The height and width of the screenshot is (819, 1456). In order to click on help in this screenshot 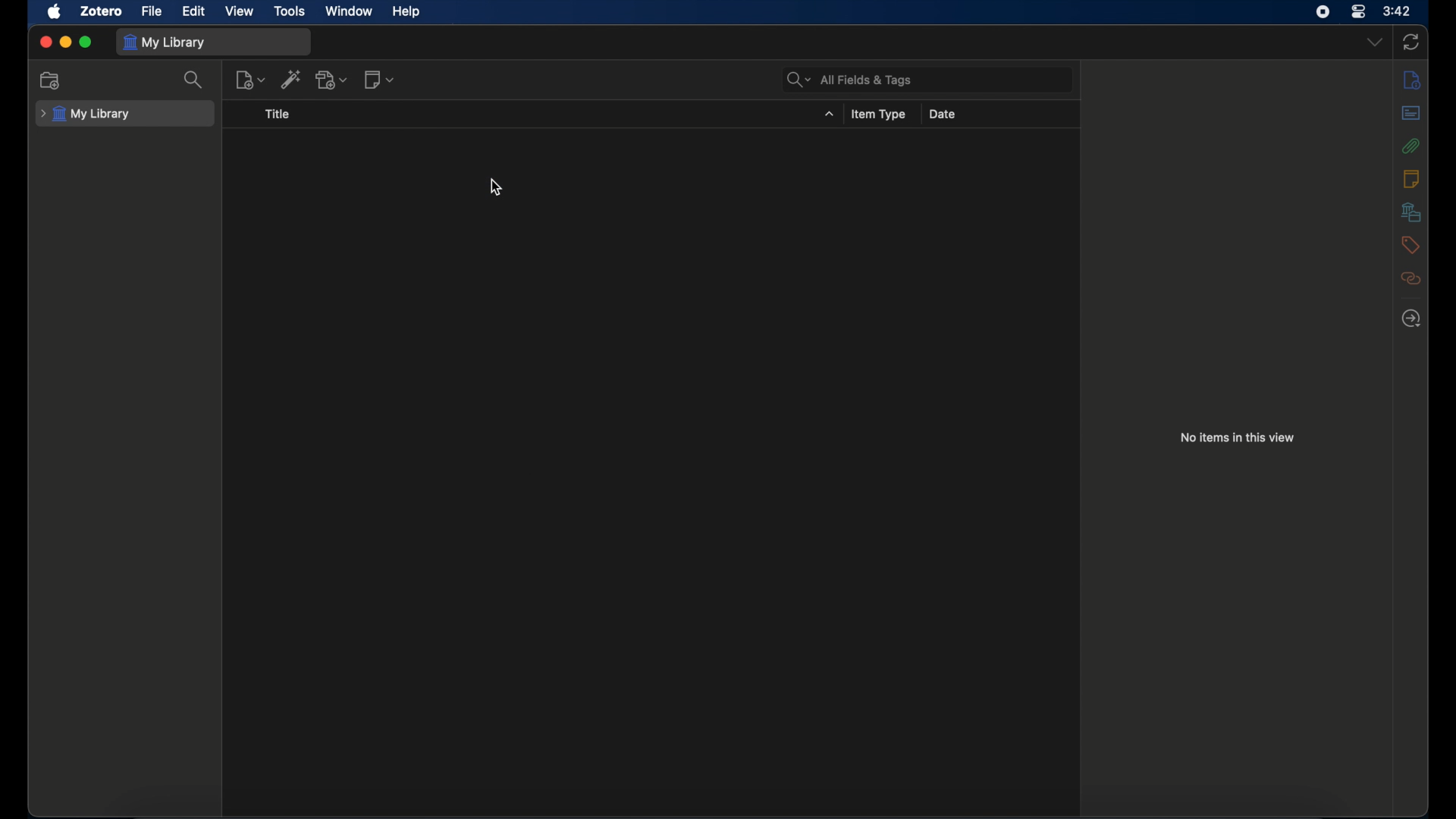, I will do `click(406, 12)`.